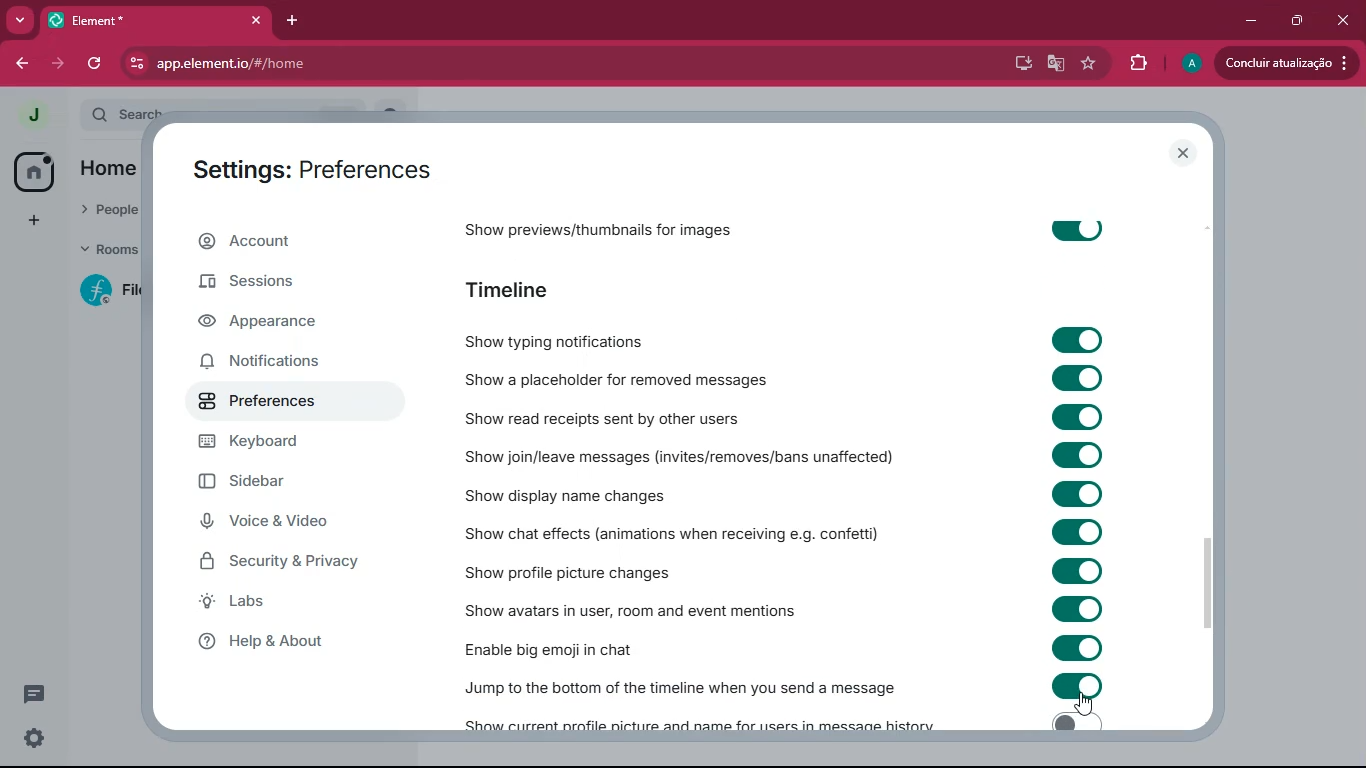 The height and width of the screenshot is (768, 1366). I want to click on toggle on , so click(1073, 417).